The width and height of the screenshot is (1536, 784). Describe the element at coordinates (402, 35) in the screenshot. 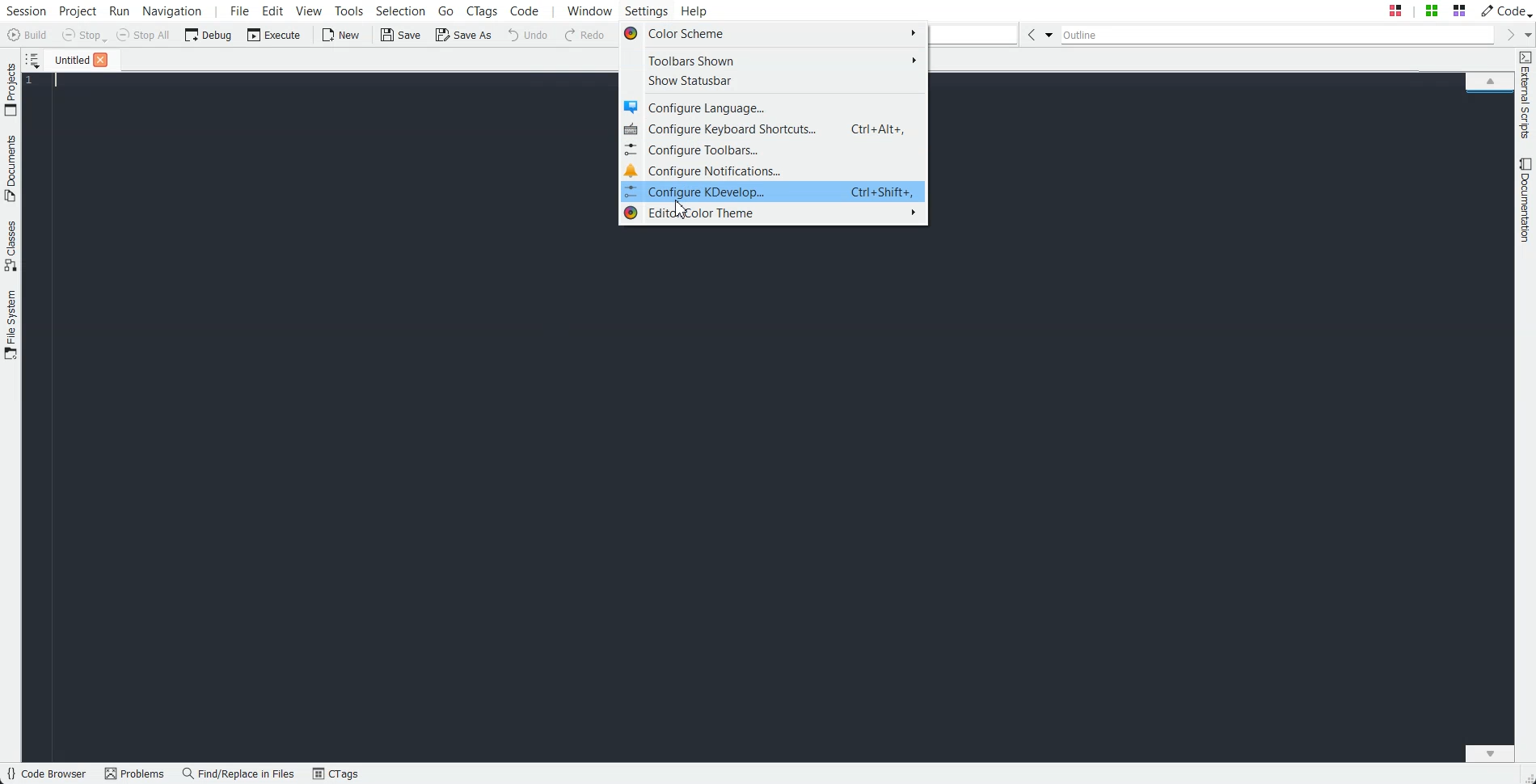

I see `Save` at that location.